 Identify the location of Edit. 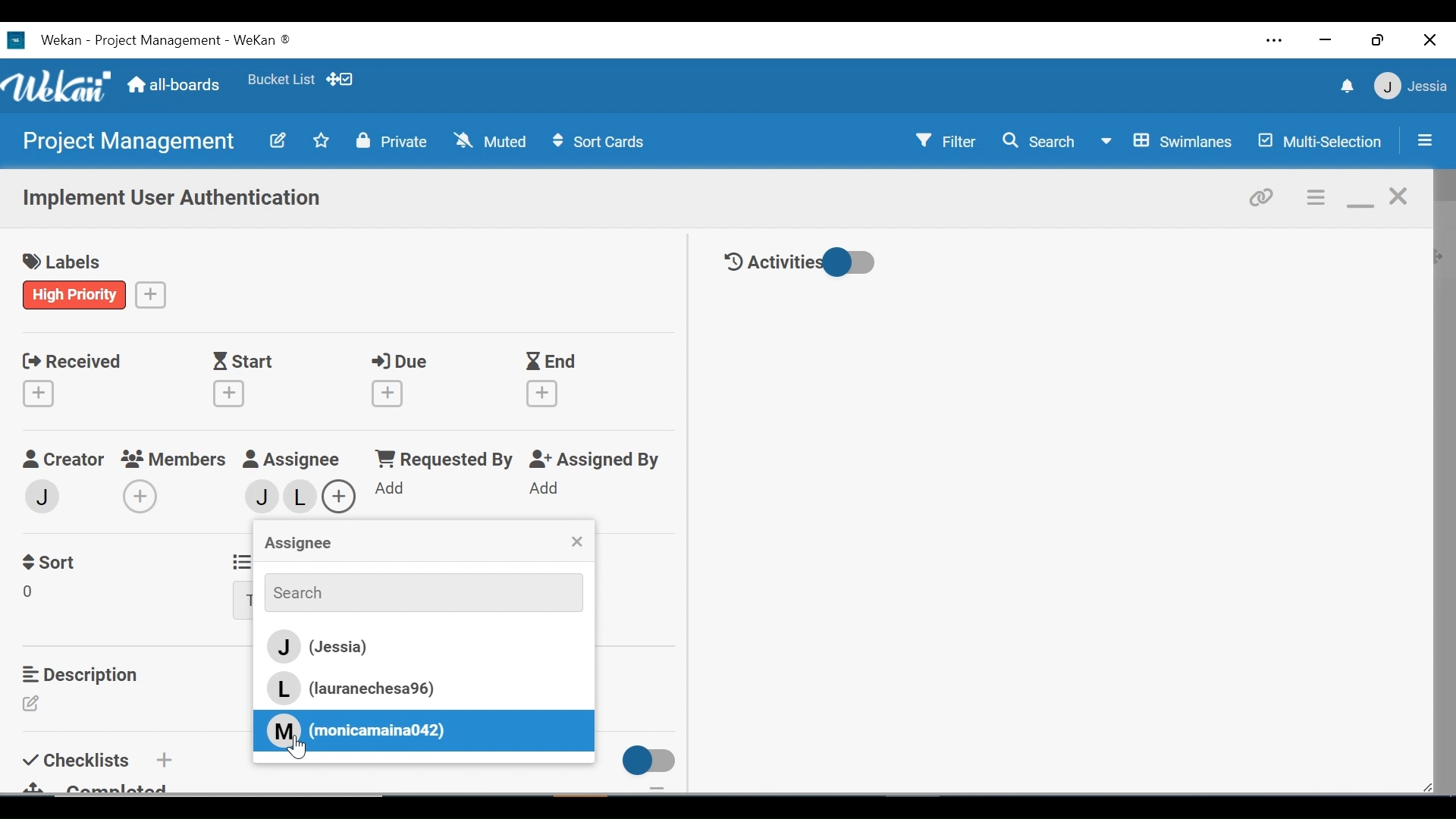
(277, 140).